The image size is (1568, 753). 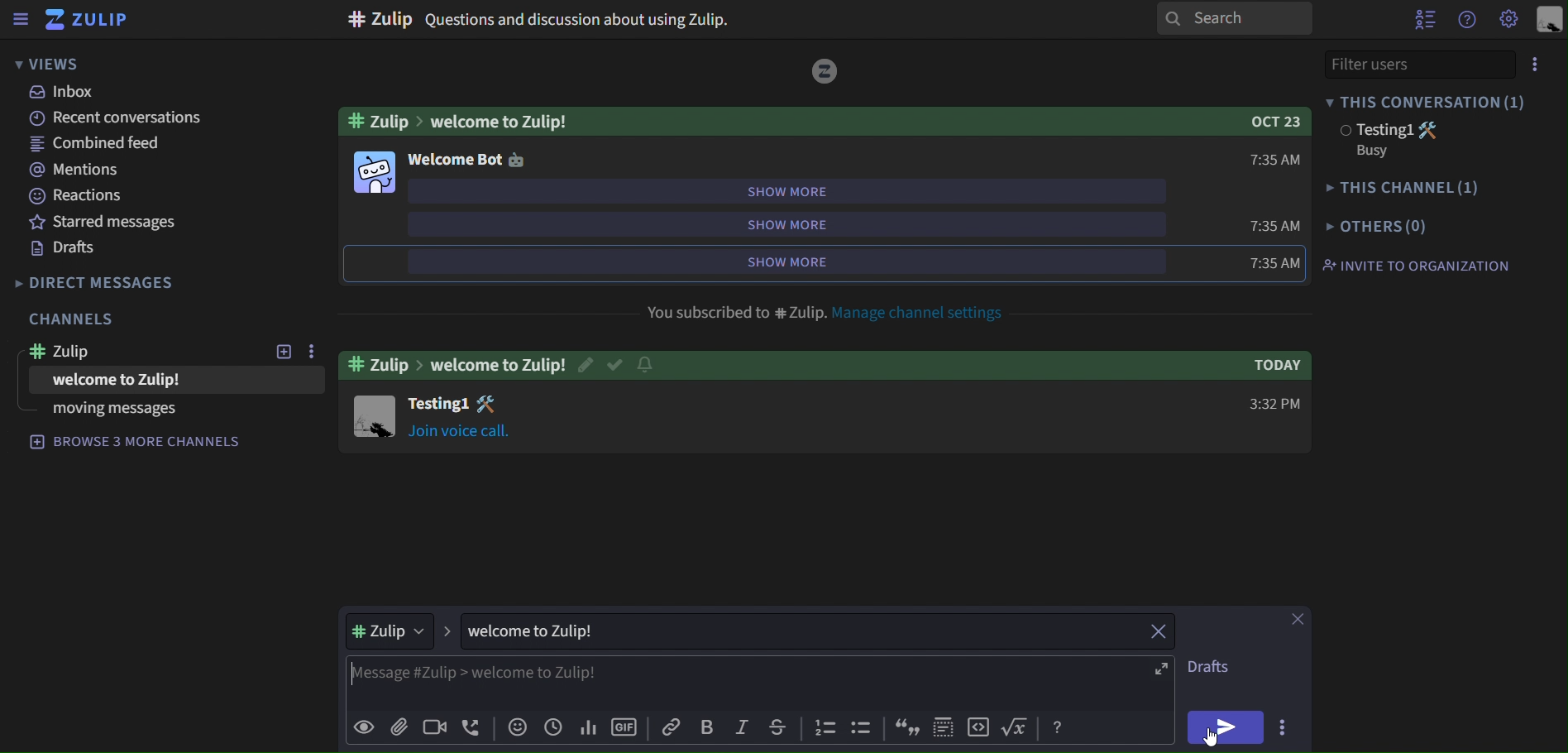 I want to click on Notification, so click(x=653, y=363).